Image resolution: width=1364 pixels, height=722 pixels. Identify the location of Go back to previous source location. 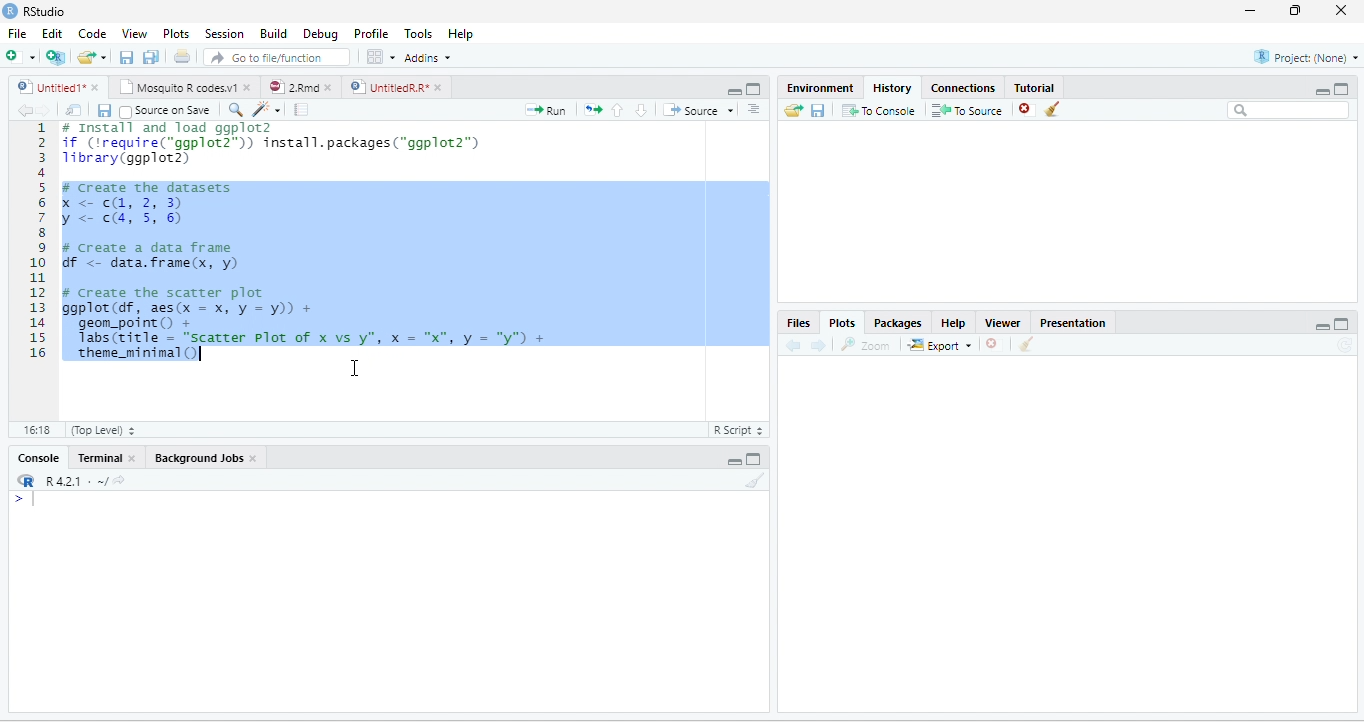
(24, 111).